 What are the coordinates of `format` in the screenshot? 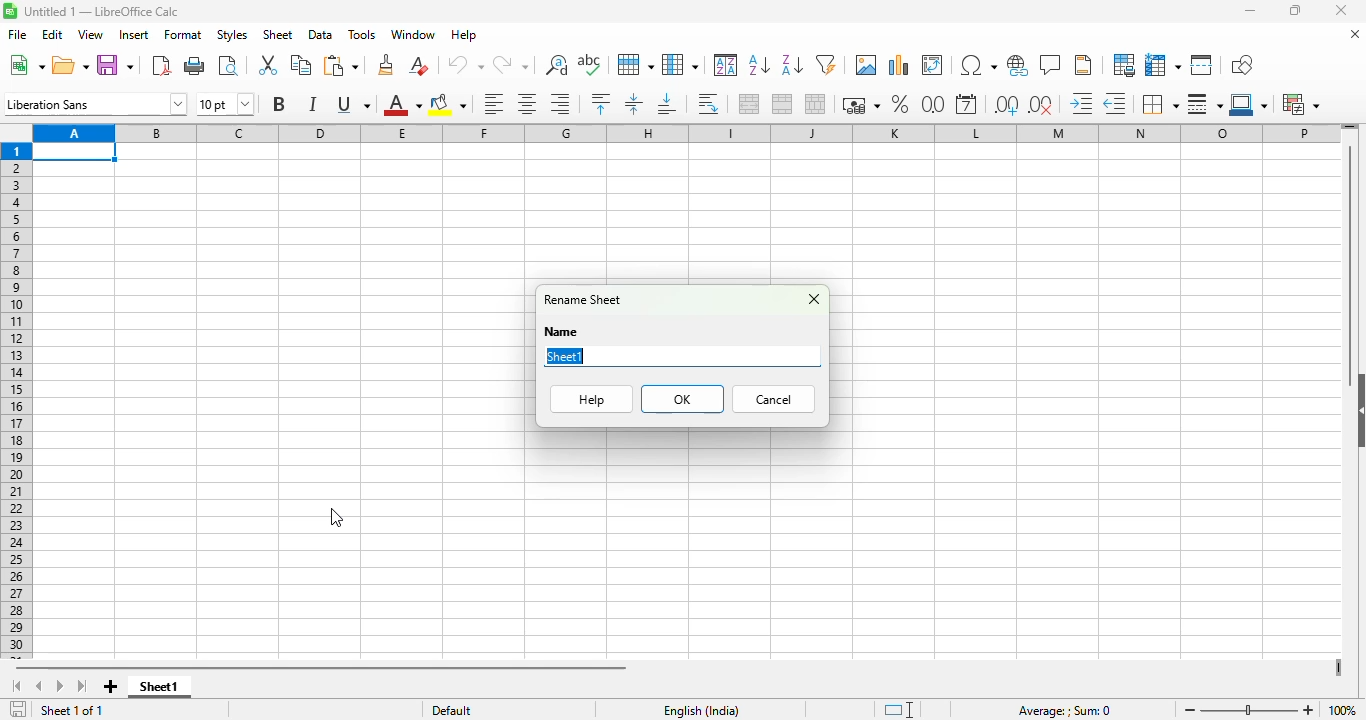 It's located at (183, 35).